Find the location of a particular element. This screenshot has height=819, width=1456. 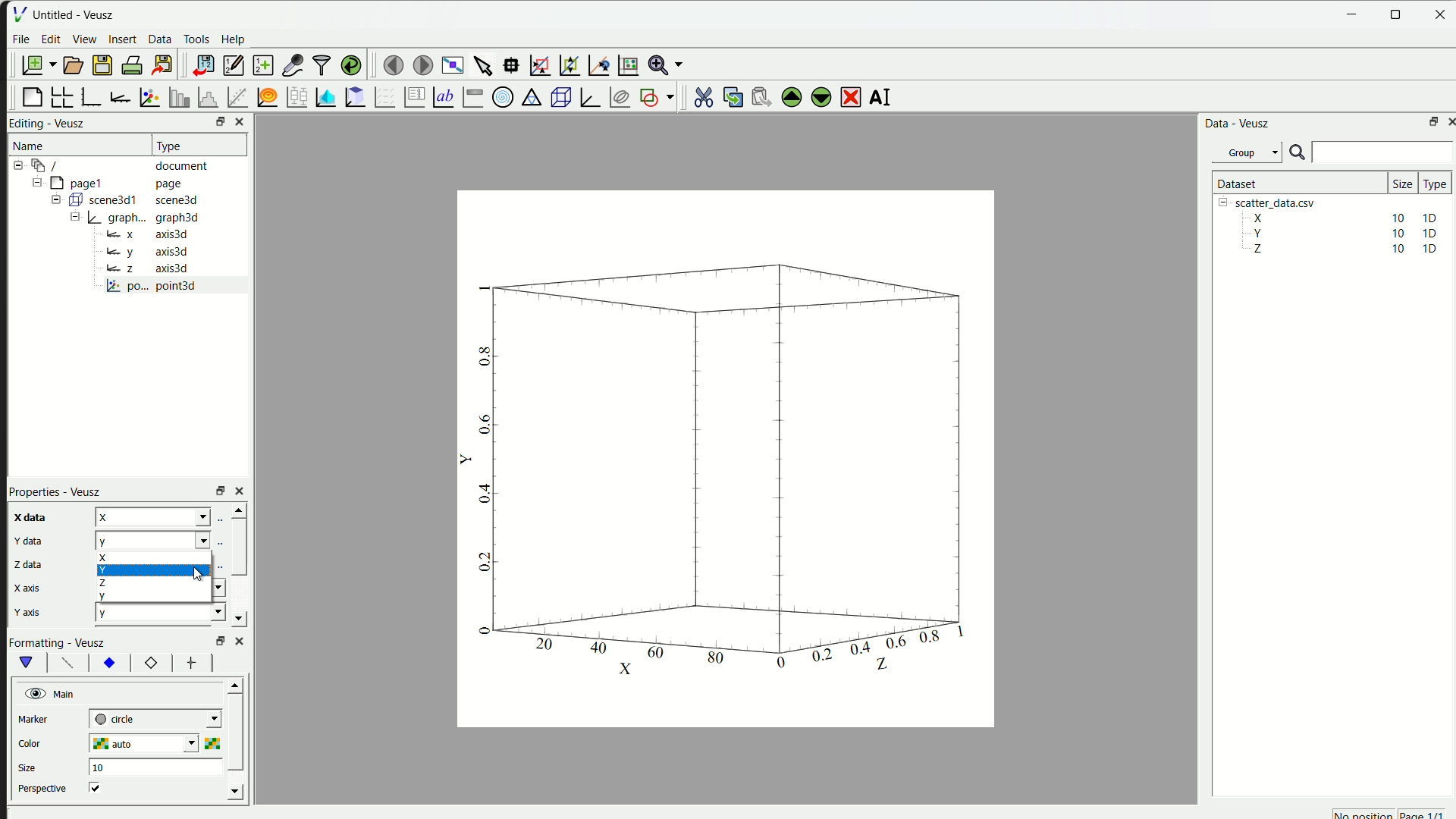

search icon is located at coordinates (1298, 152).